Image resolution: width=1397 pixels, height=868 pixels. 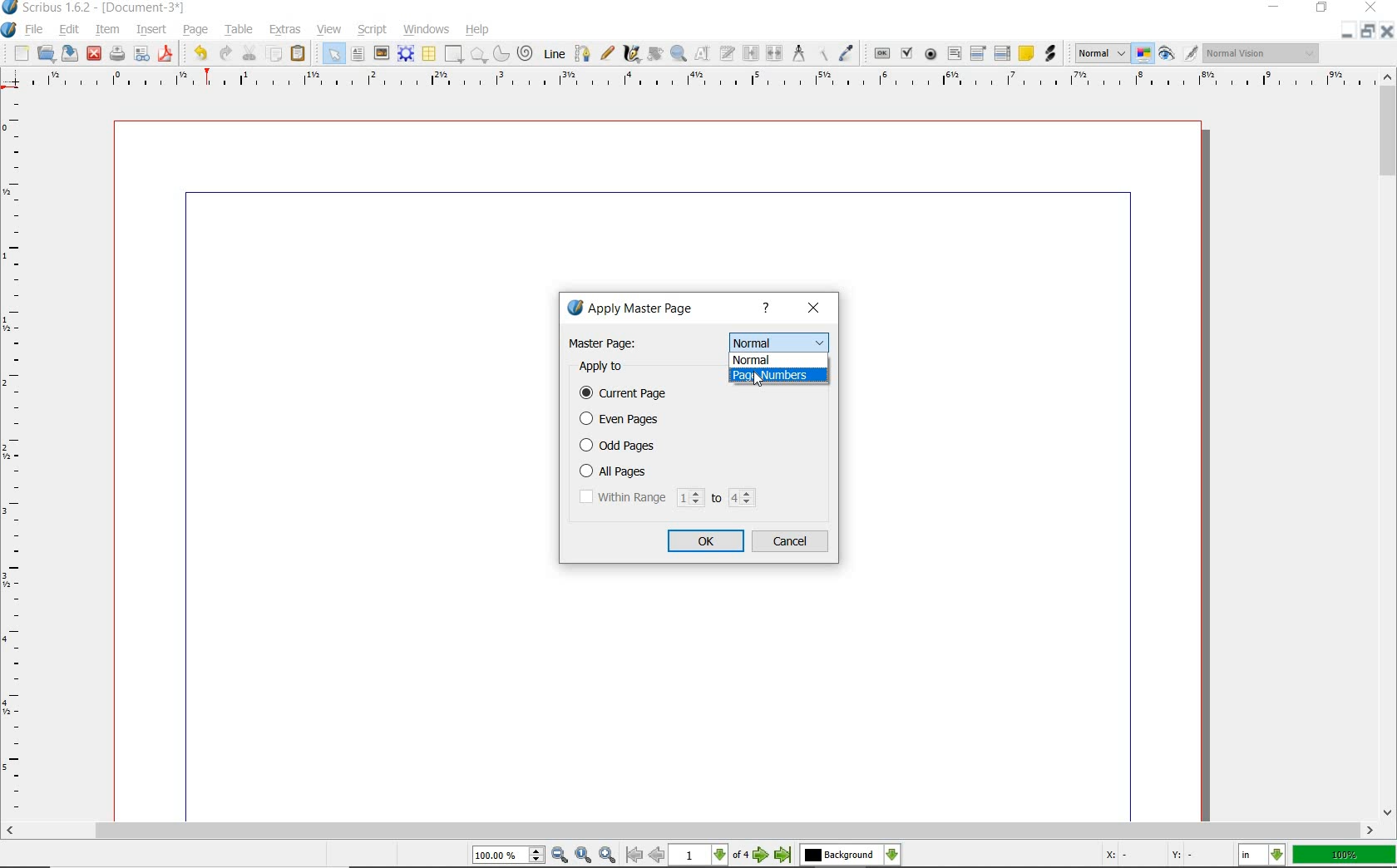 What do you see at coordinates (101, 8) in the screenshot?
I see `Scribus 1.62 - [Document-3*]` at bounding box center [101, 8].